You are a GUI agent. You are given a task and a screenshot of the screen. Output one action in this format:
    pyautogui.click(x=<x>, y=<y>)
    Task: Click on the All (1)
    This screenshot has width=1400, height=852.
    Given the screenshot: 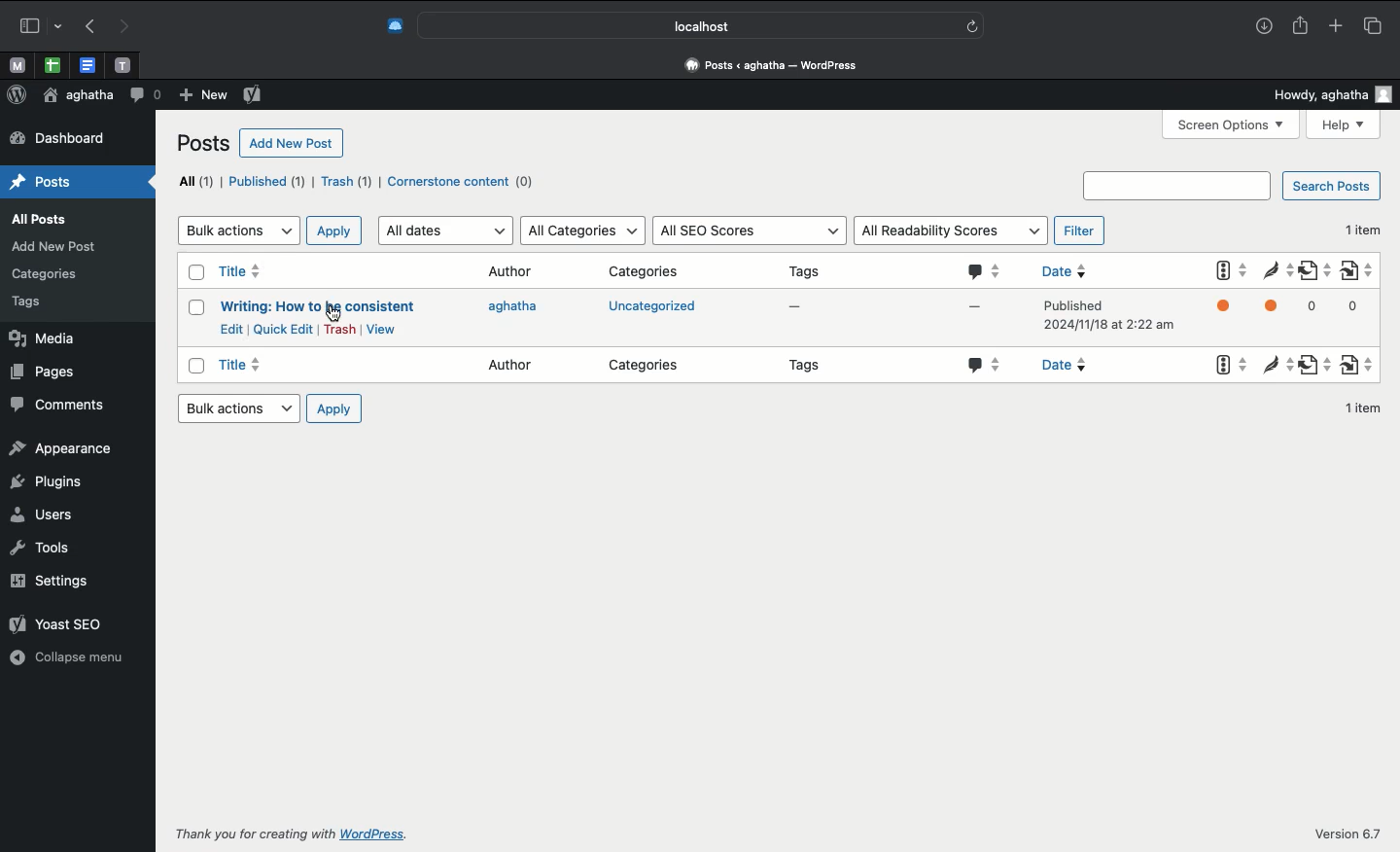 What is the action you would take?
    pyautogui.click(x=195, y=183)
    